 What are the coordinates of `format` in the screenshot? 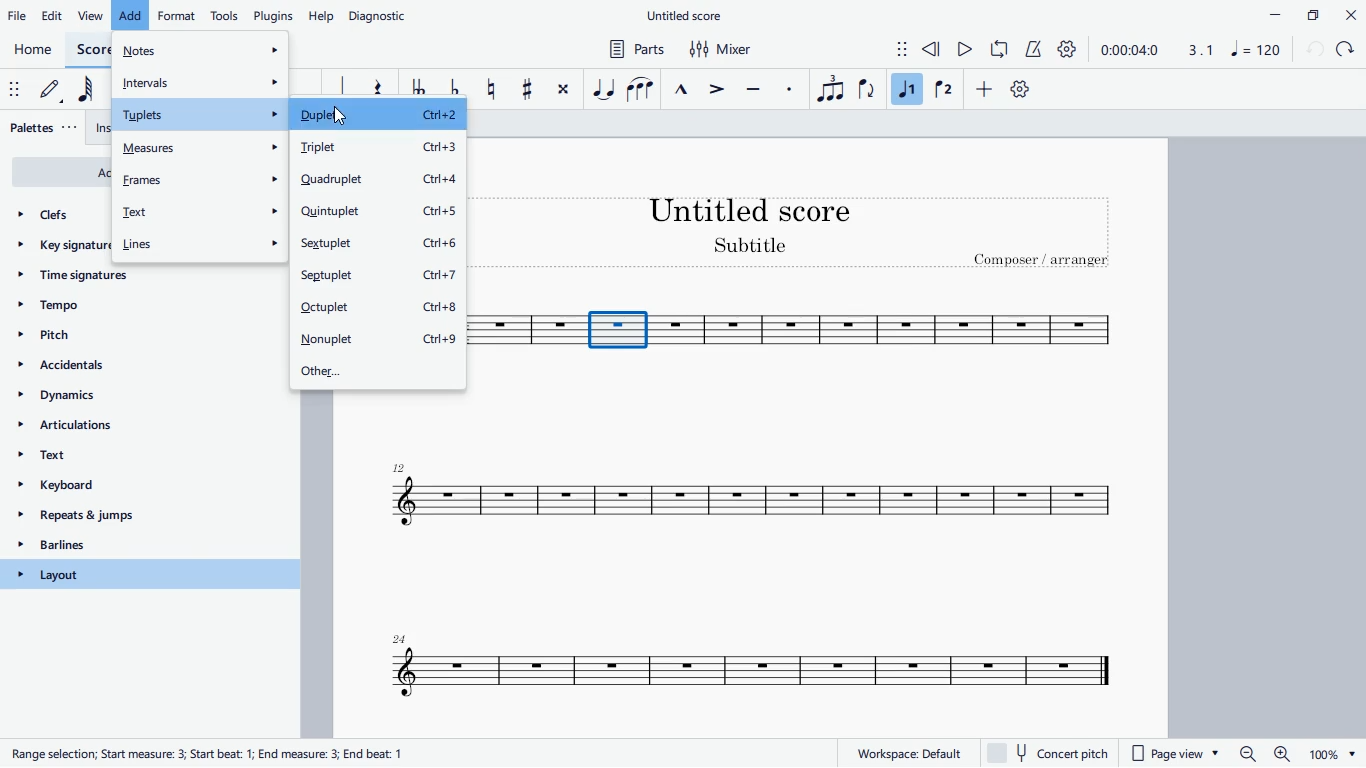 It's located at (177, 14).